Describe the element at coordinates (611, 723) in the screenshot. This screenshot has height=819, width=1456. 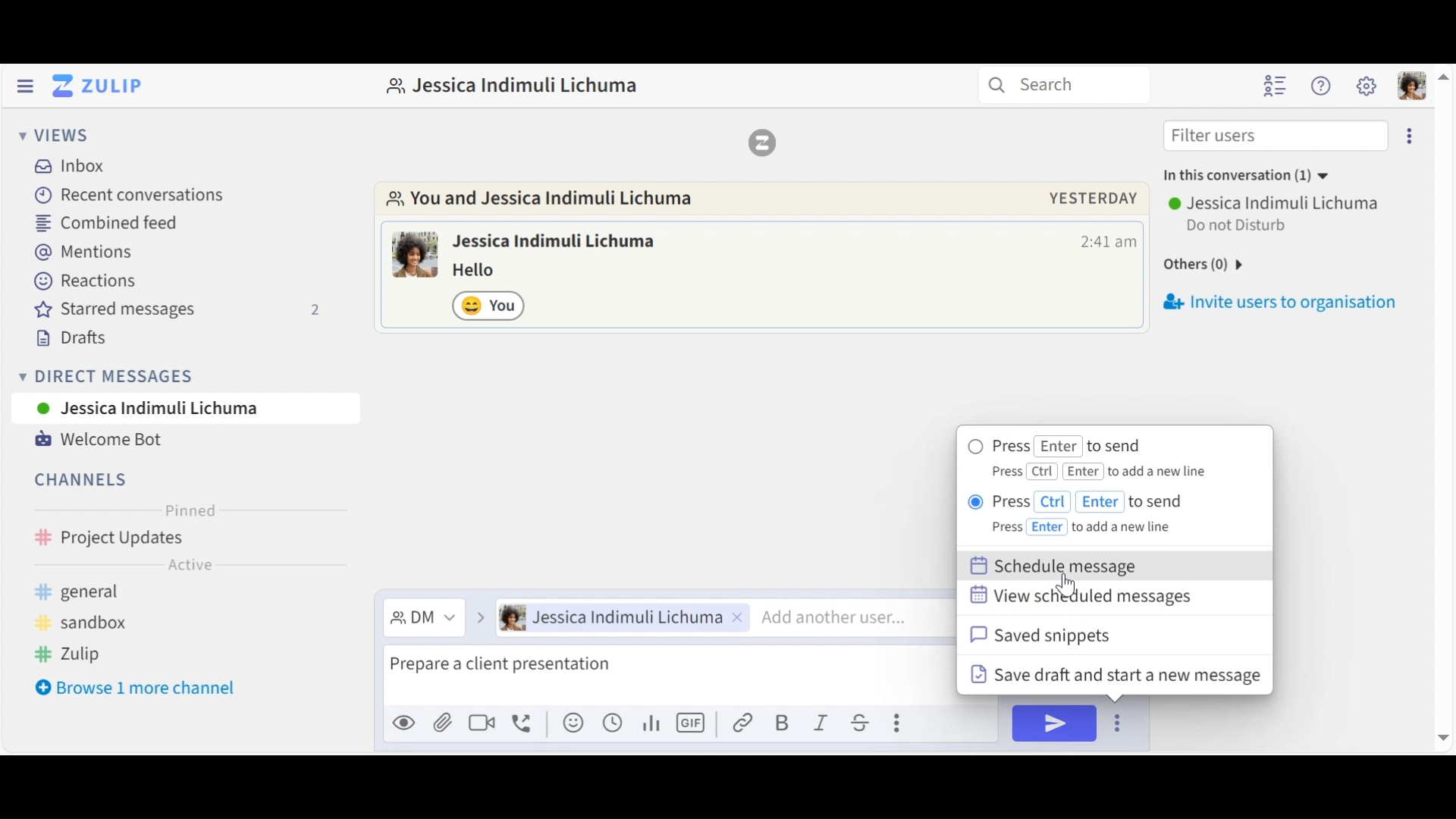
I see `Add global time` at that location.